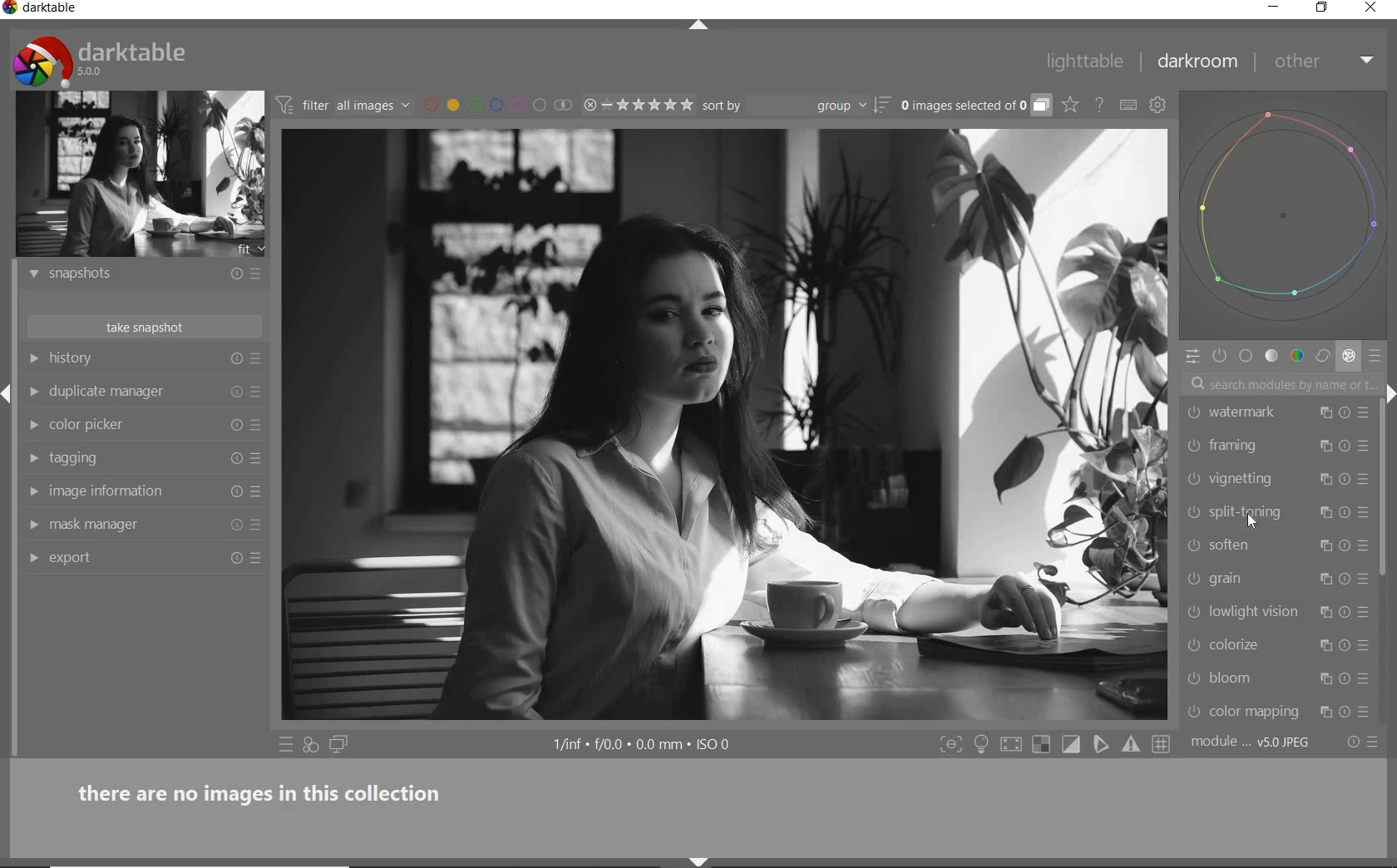 The height and width of the screenshot is (868, 1397). What do you see at coordinates (257, 492) in the screenshot?
I see `preset and preferences` at bounding box center [257, 492].